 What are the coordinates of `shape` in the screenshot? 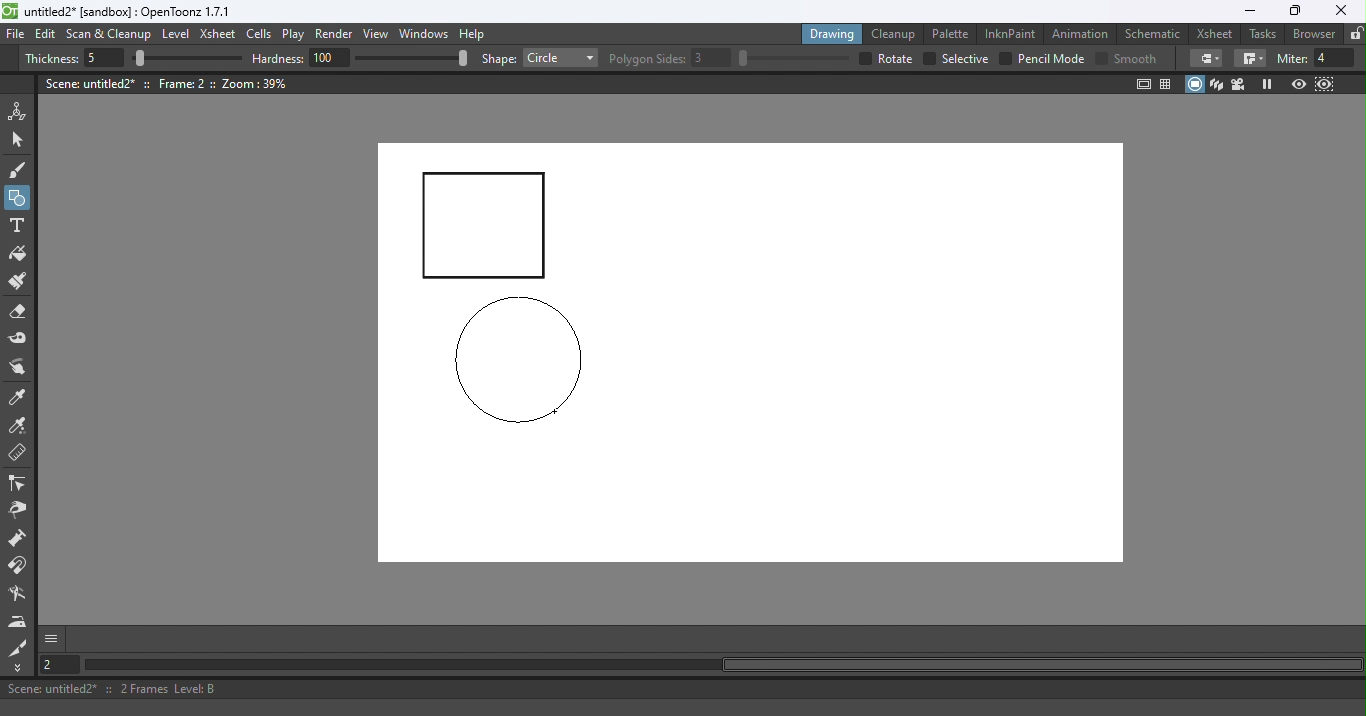 It's located at (499, 60).